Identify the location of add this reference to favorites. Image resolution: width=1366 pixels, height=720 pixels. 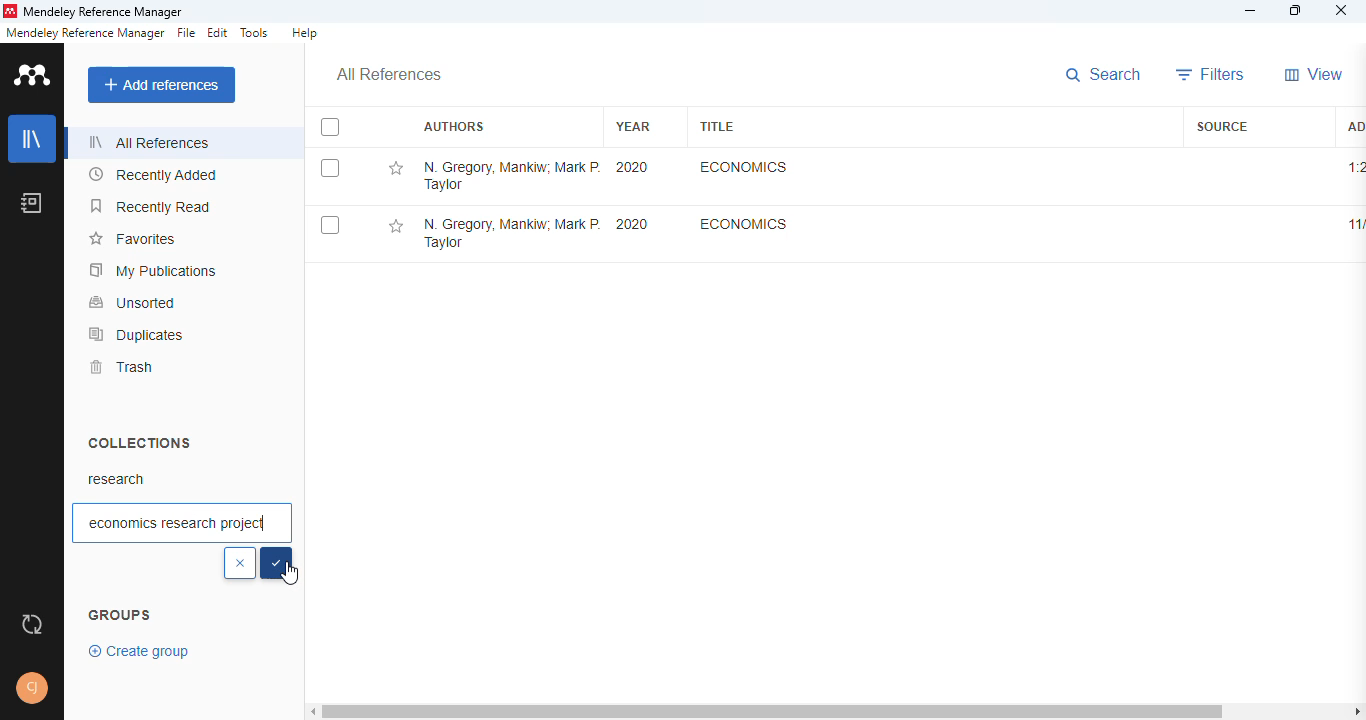
(395, 227).